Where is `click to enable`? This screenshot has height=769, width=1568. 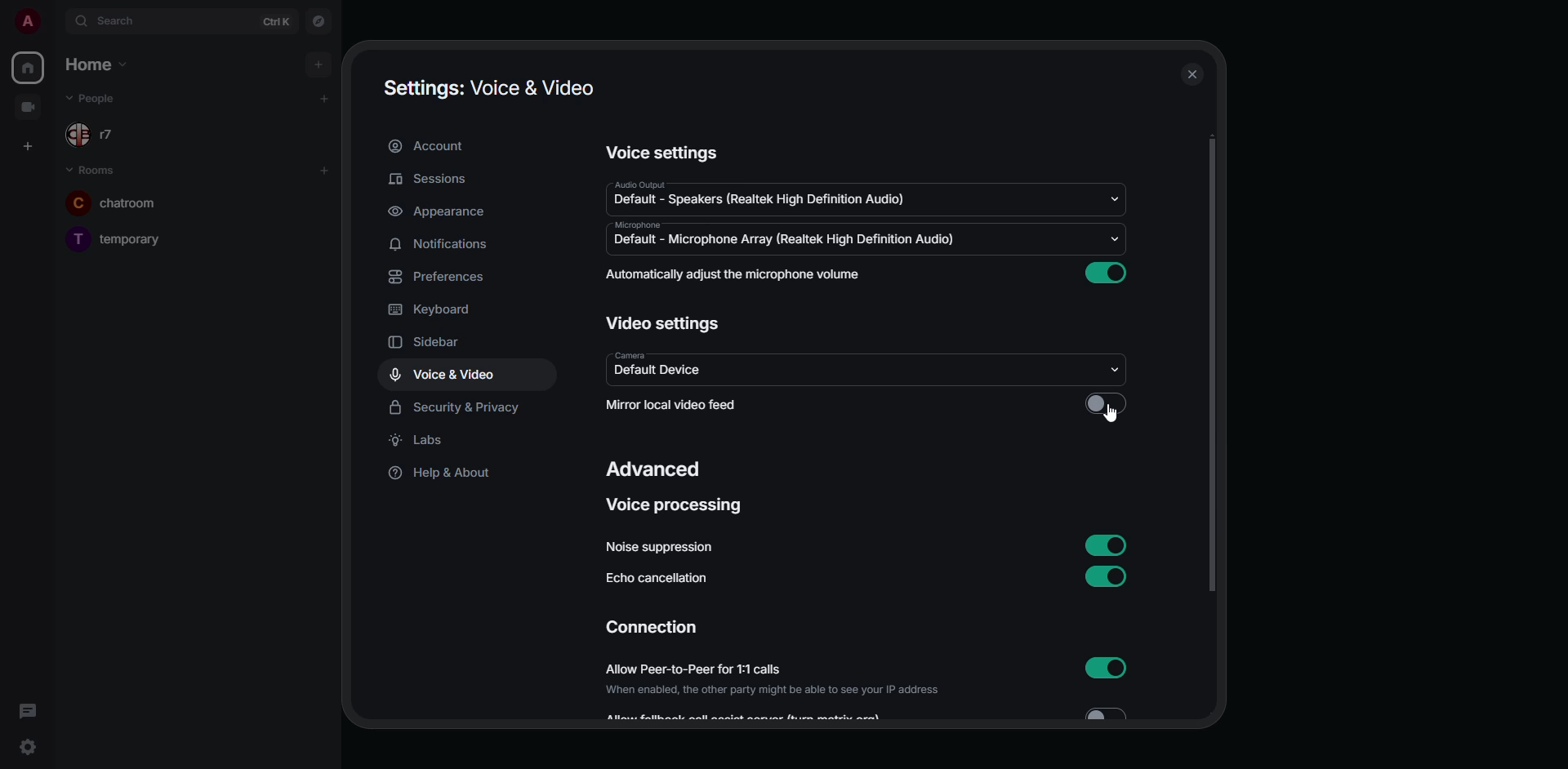
click to enable is located at coordinates (1106, 404).